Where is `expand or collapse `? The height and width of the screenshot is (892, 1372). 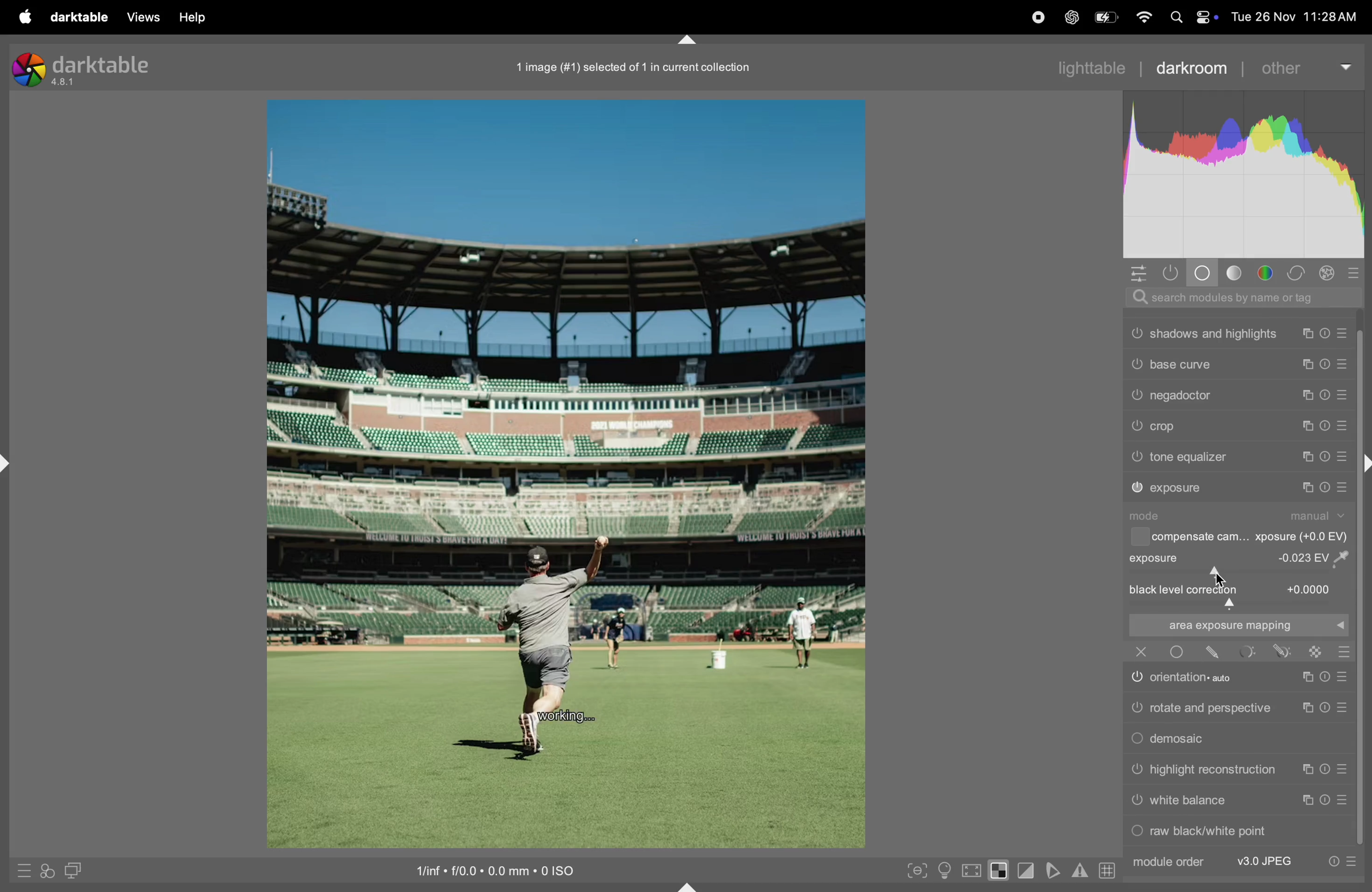
expand or collapse  is located at coordinates (687, 38).